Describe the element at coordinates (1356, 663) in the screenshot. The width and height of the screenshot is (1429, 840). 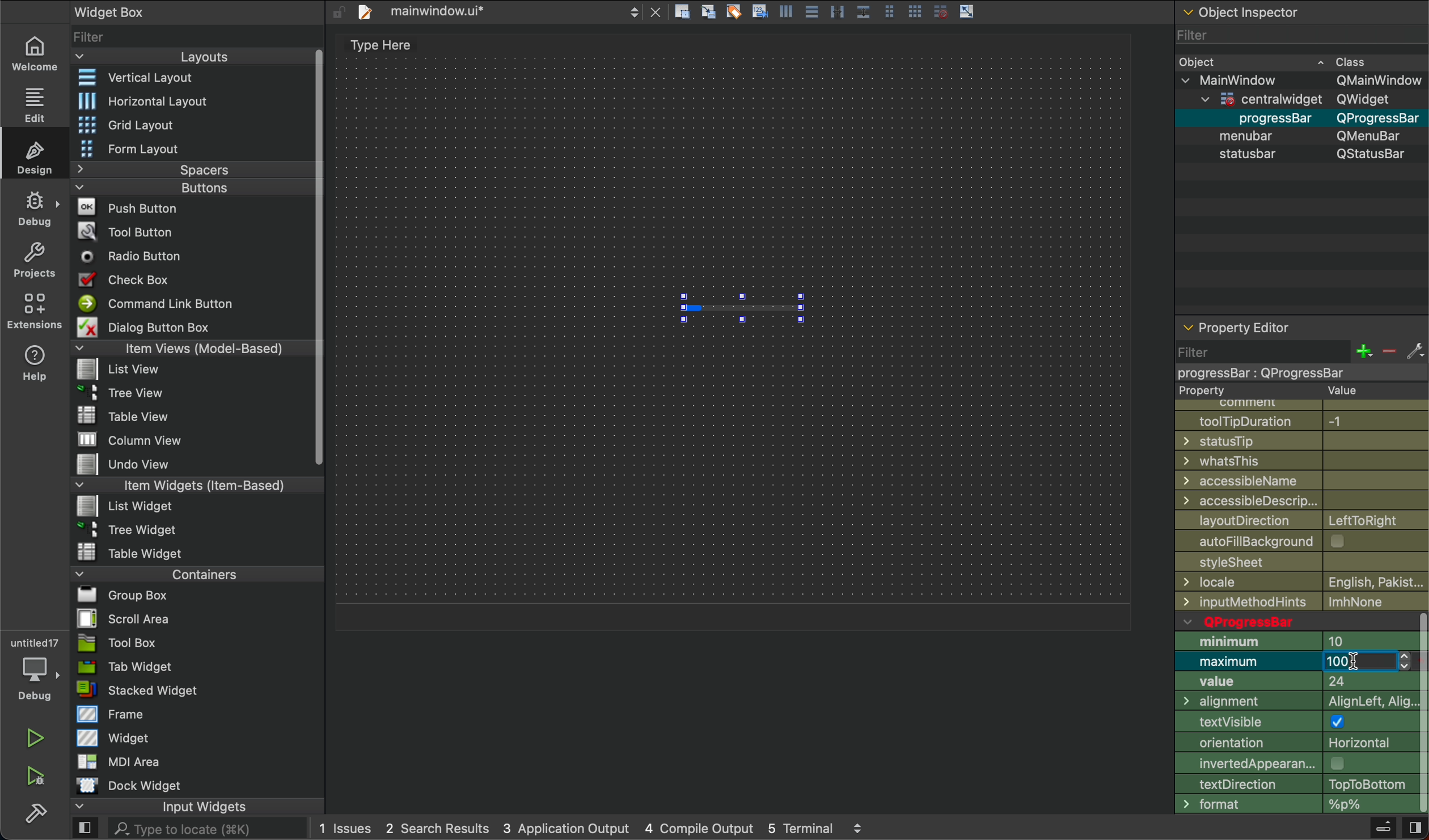
I see `cursor` at that location.